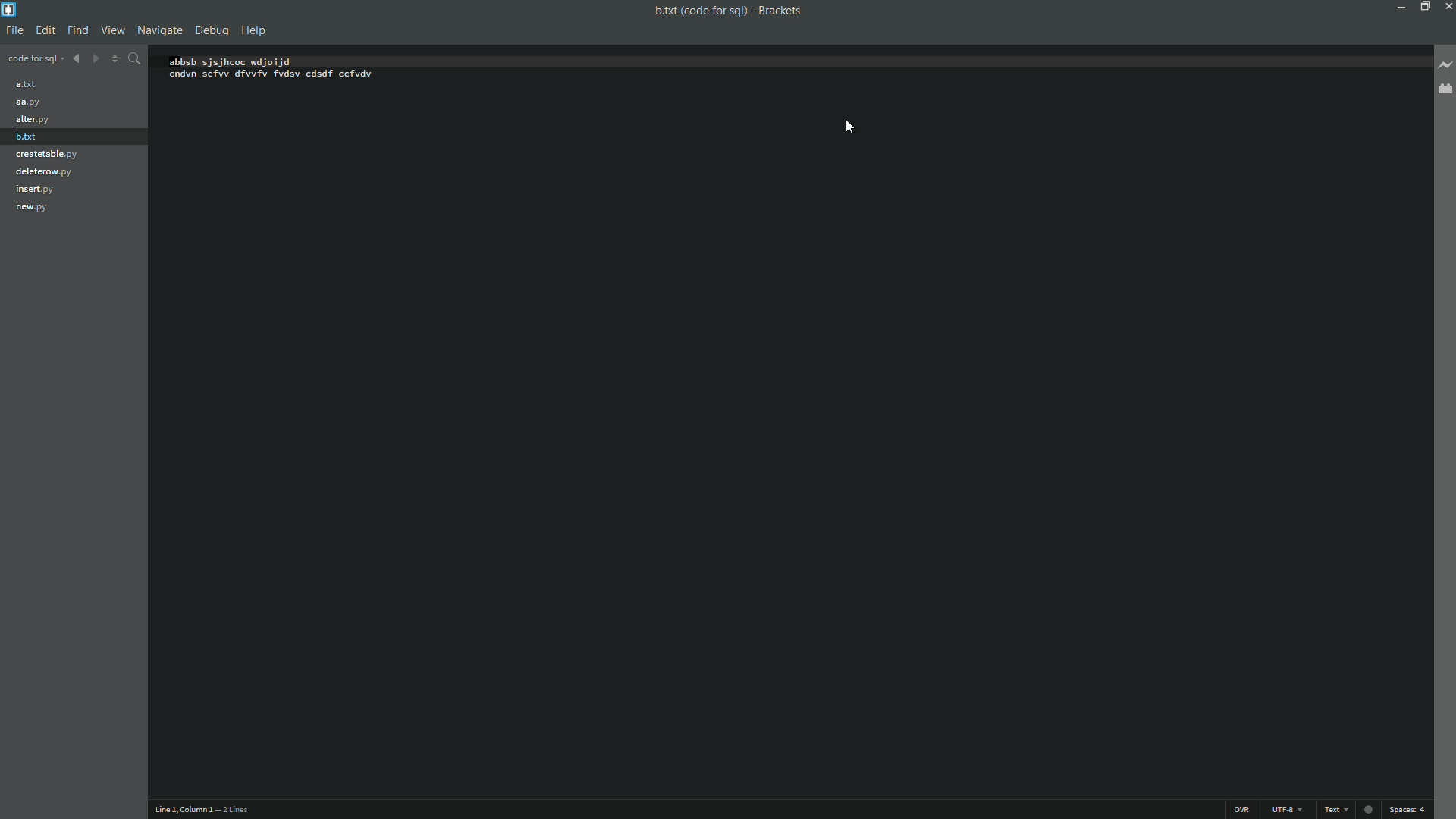 The image size is (1456, 819). What do you see at coordinates (1447, 64) in the screenshot?
I see `live preview` at bounding box center [1447, 64].